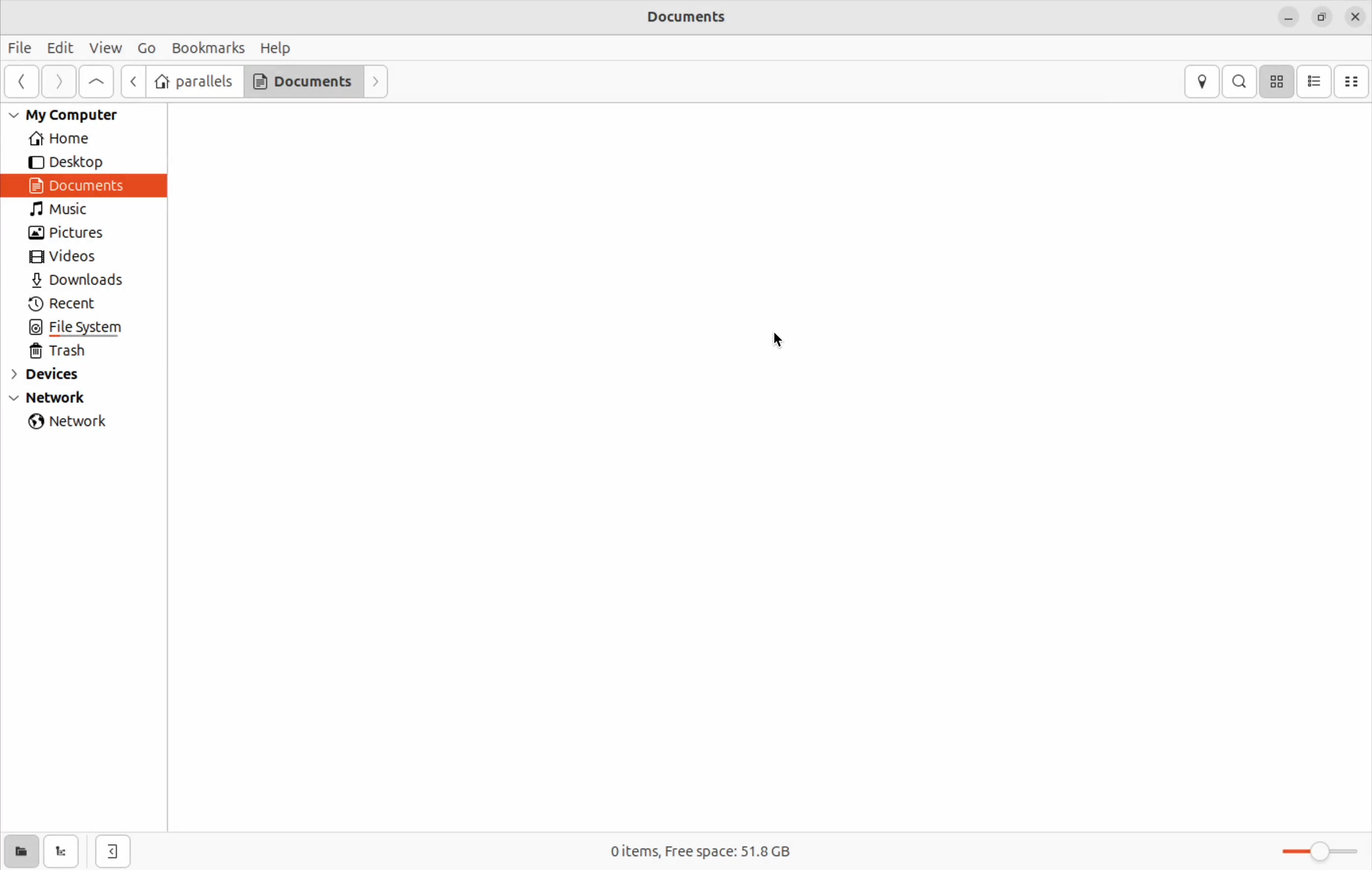 Image resolution: width=1372 pixels, height=870 pixels. Describe the element at coordinates (76, 350) in the screenshot. I see `trash` at that location.